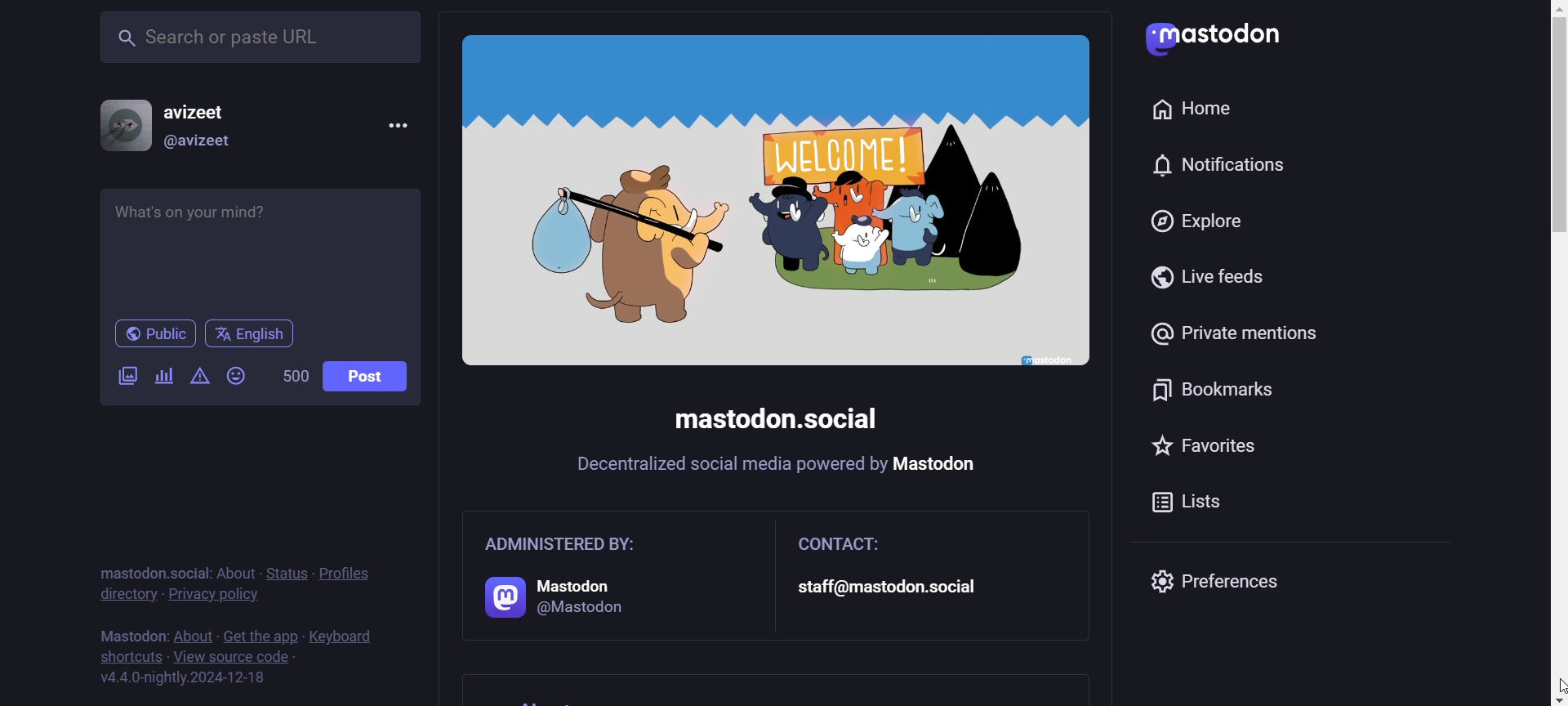  Describe the element at coordinates (249, 334) in the screenshot. I see `Language` at that location.